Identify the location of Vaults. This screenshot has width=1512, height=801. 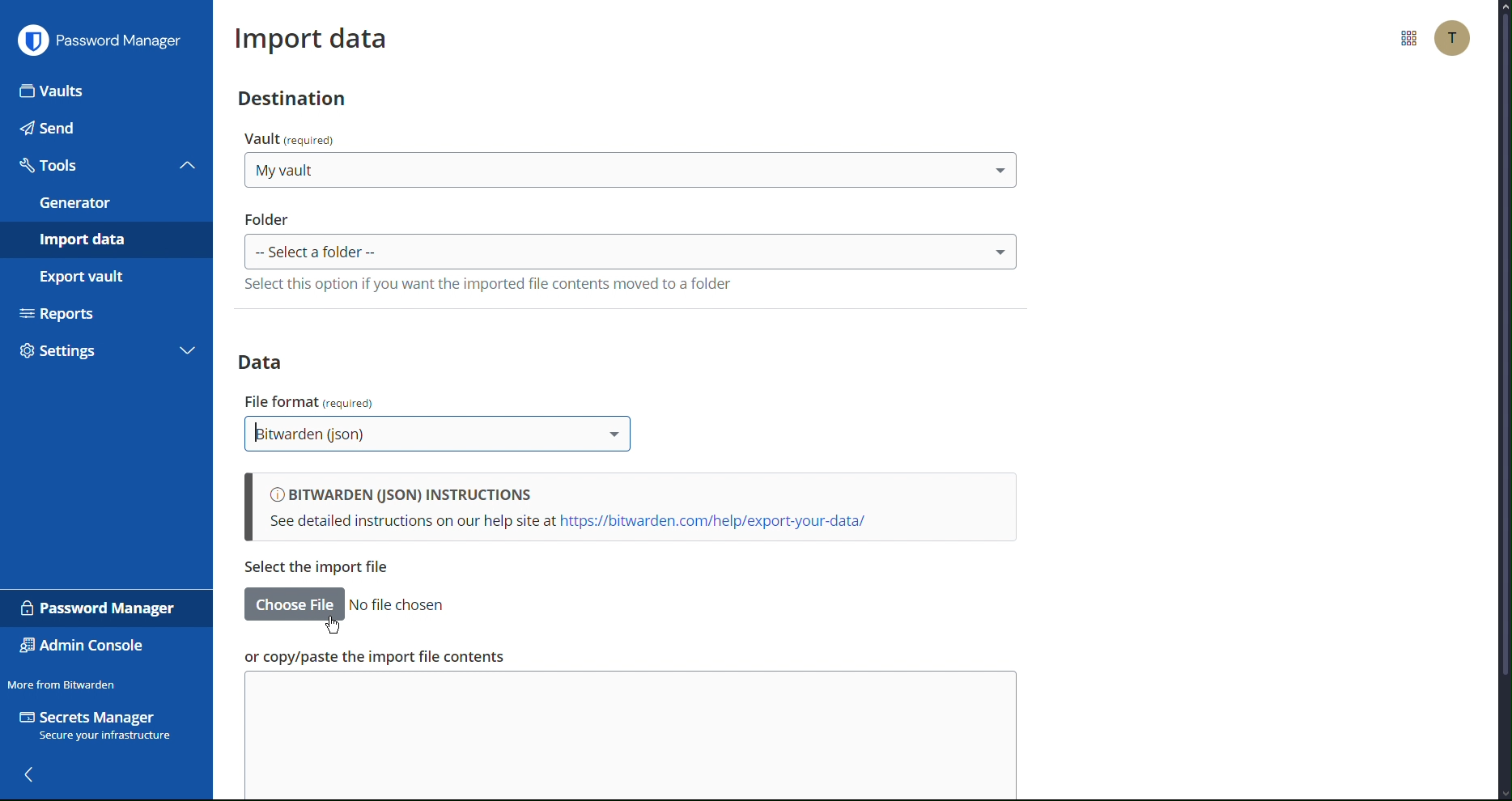
(107, 90).